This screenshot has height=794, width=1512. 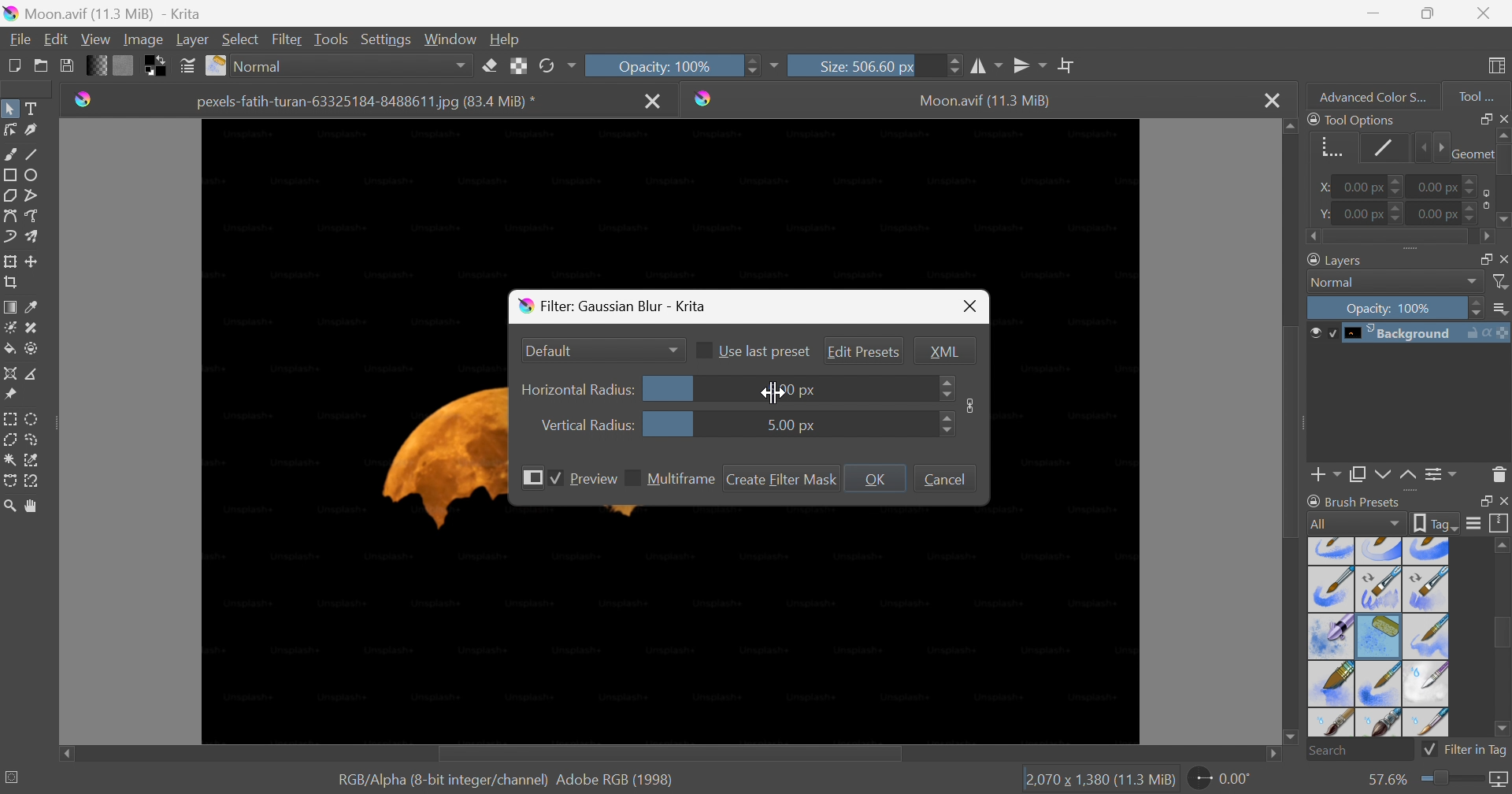 What do you see at coordinates (707, 98) in the screenshot?
I see `Krita icon` at bounding box center [707, 98].